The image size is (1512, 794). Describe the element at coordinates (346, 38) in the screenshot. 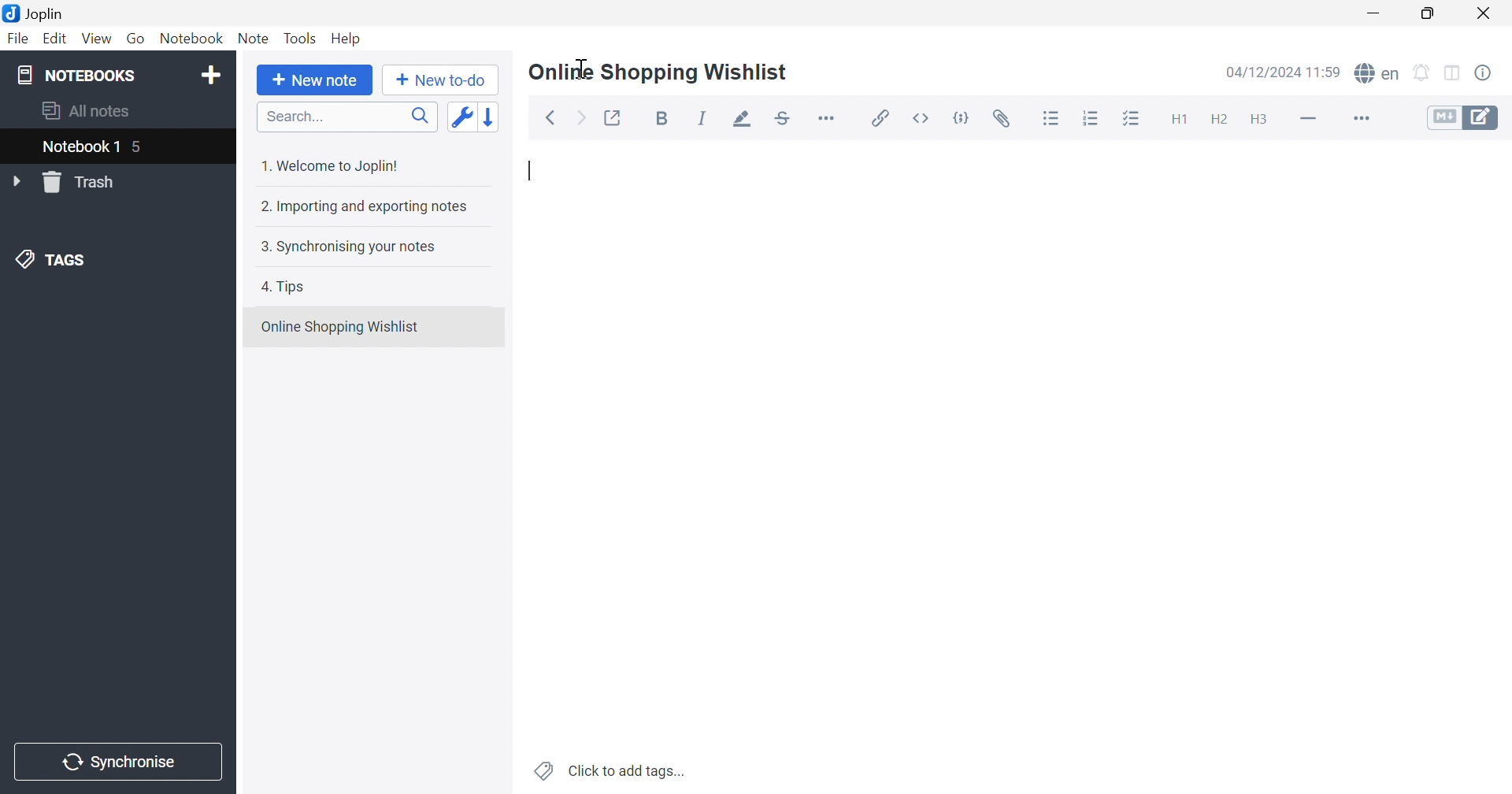

I see `Help` at that location.